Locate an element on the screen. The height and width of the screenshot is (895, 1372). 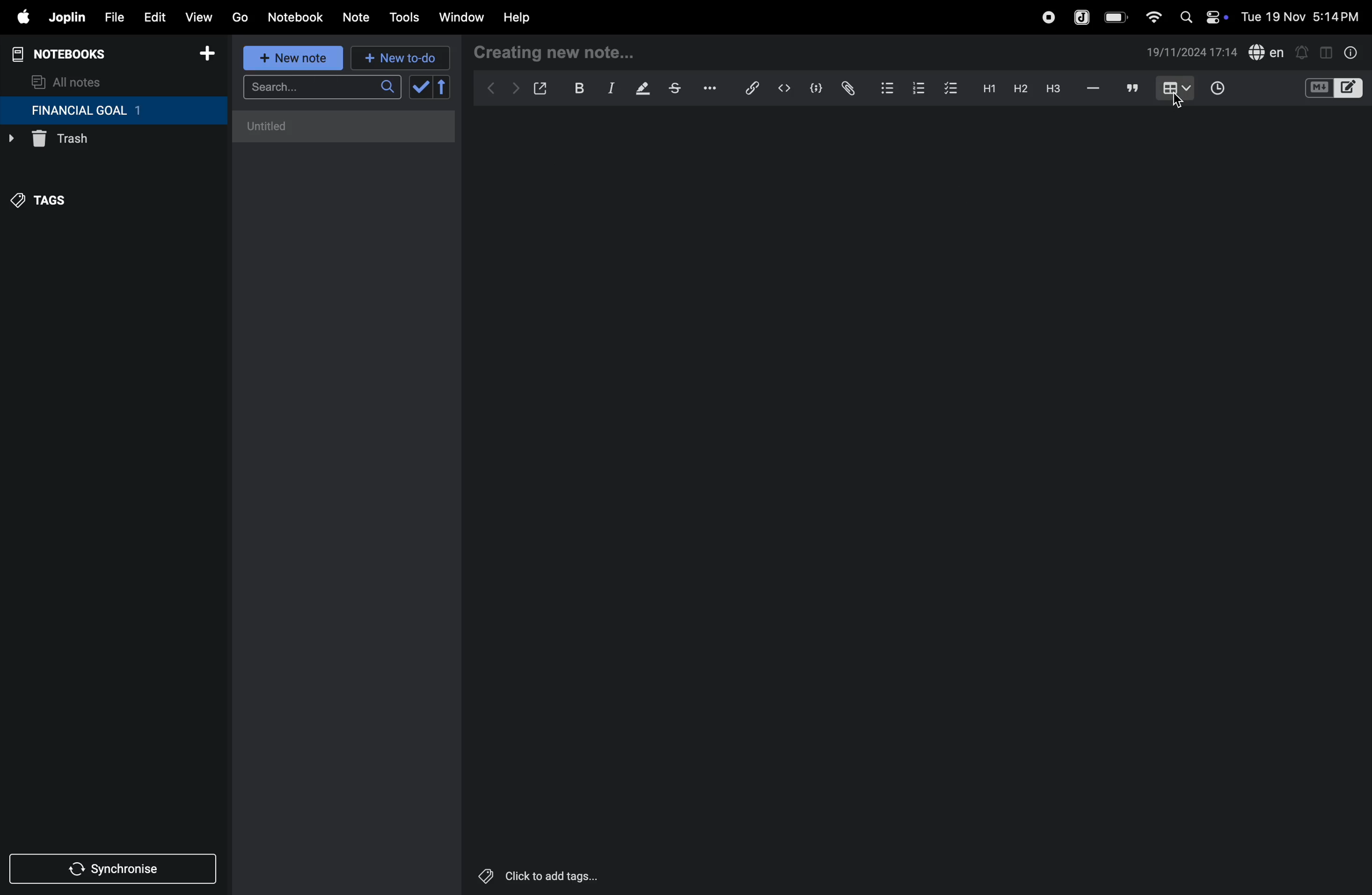
check box is located at coordinates (951, 89).